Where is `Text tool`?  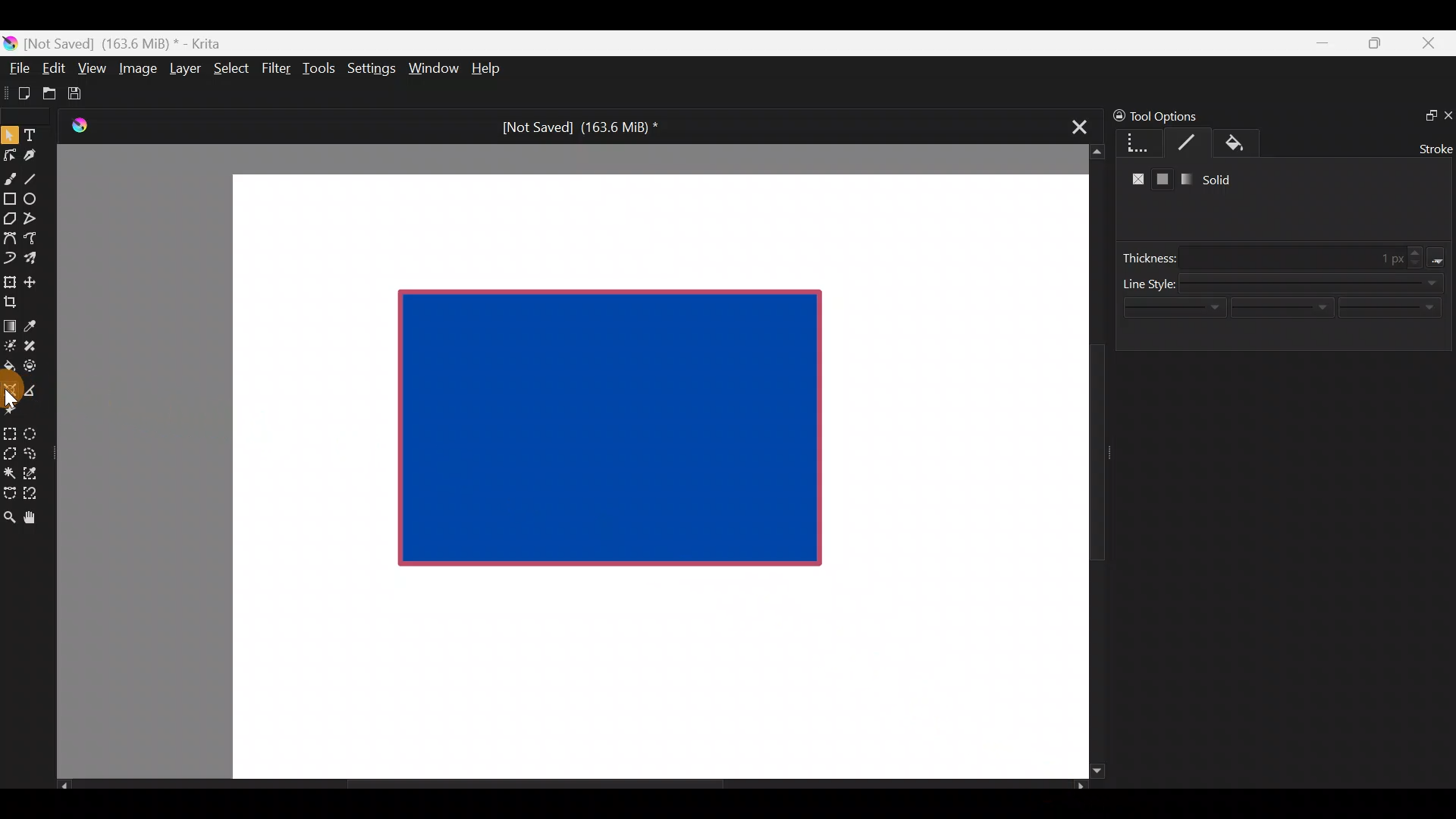
Text tool is located at coordinates (38, 134).